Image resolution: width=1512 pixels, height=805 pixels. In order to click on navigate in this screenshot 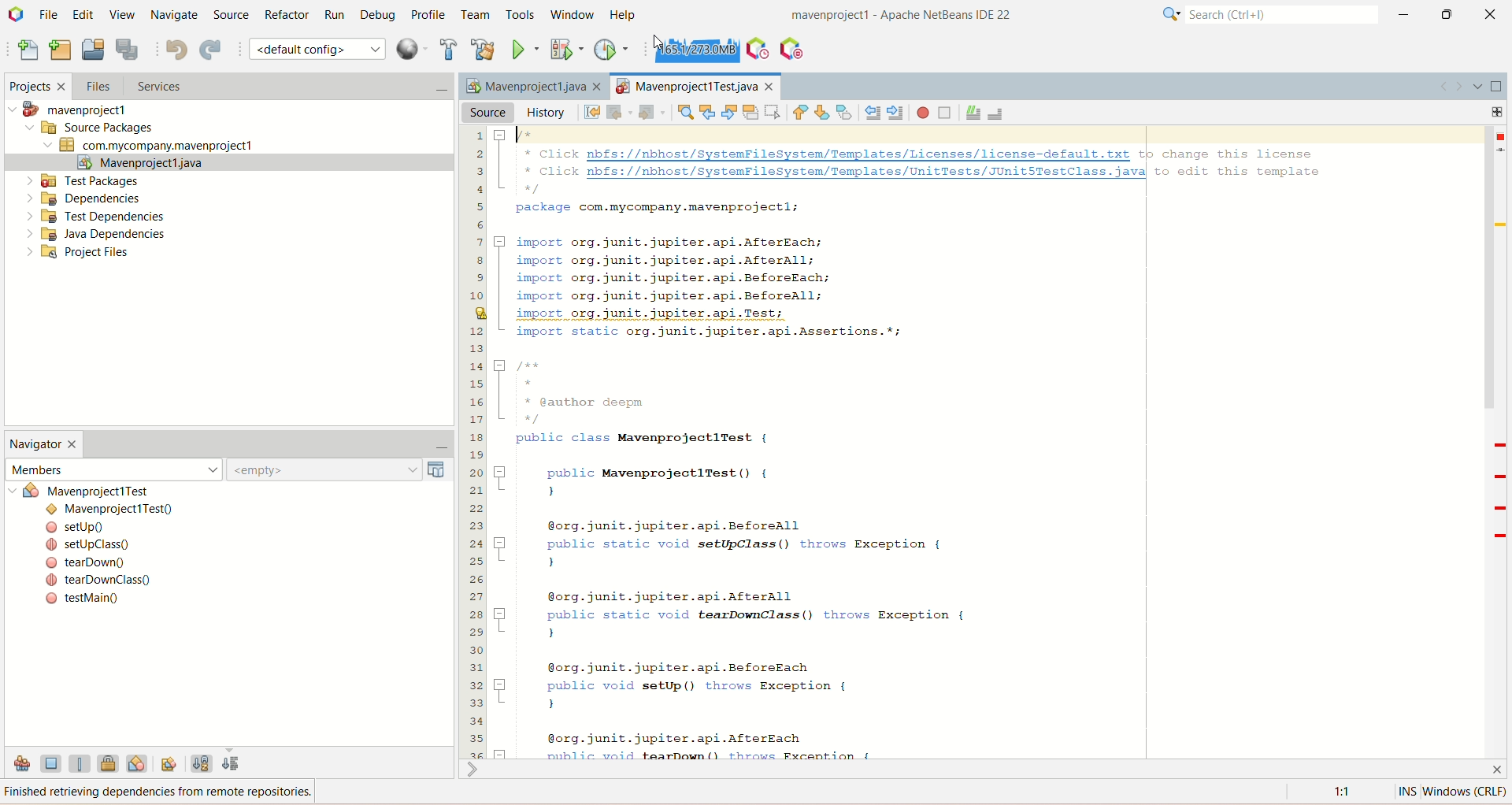, I will do `click(173, 16)`.